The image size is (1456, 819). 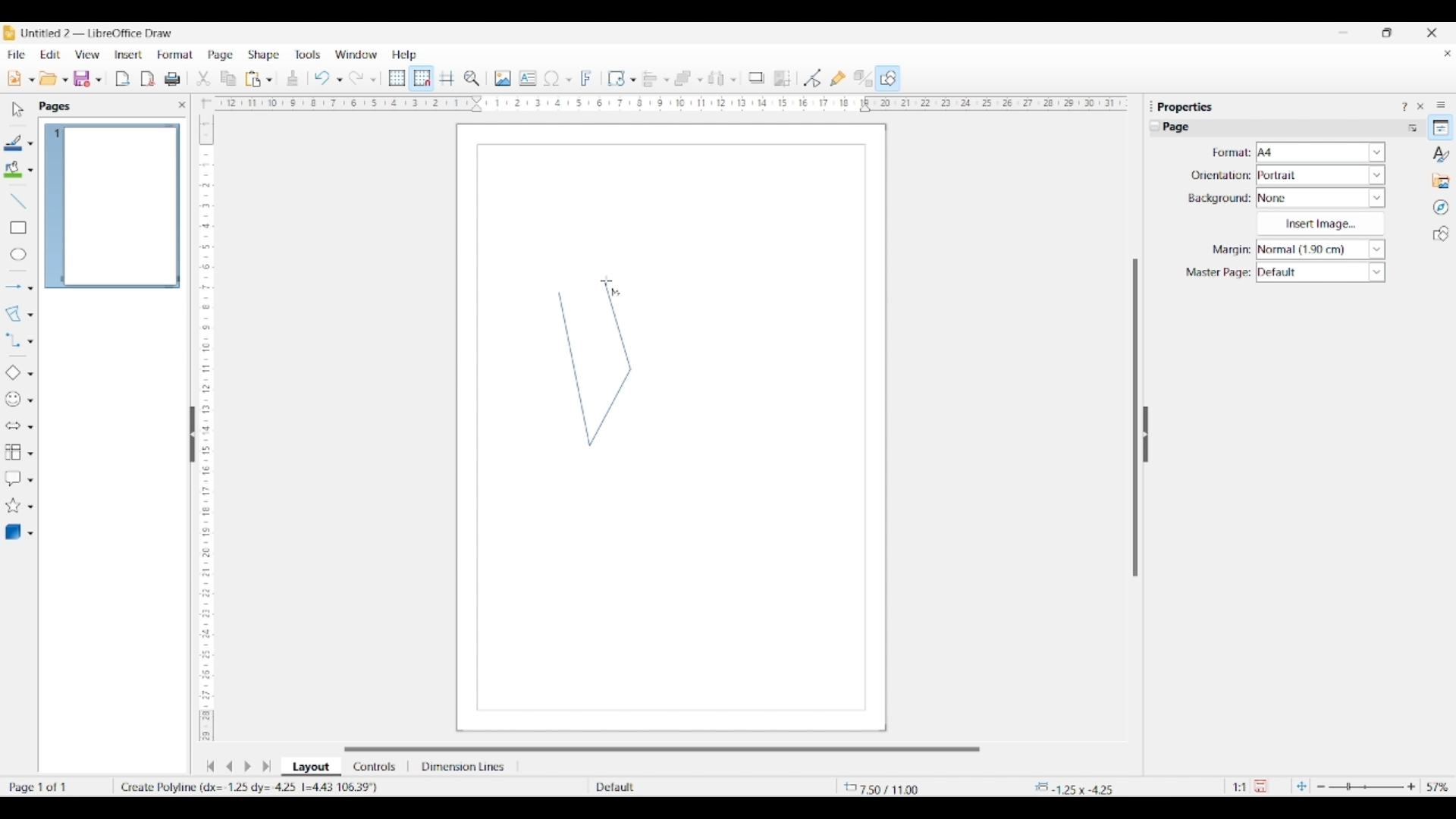 I want to click on Orientation options, so click(x=1321, y=174).